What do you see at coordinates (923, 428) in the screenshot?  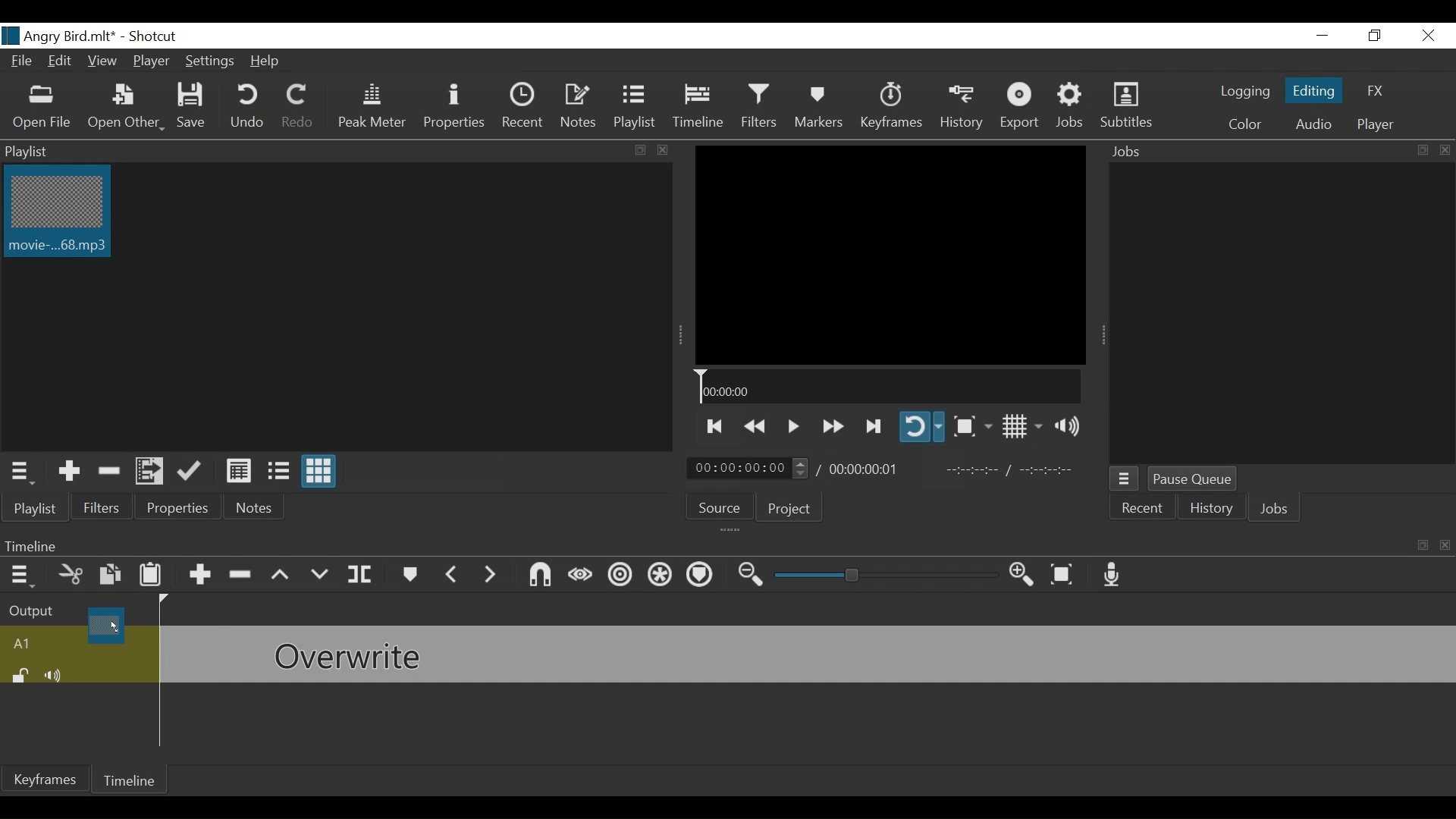 I see `Toggle player on looping` at bounding box center [923, 428].